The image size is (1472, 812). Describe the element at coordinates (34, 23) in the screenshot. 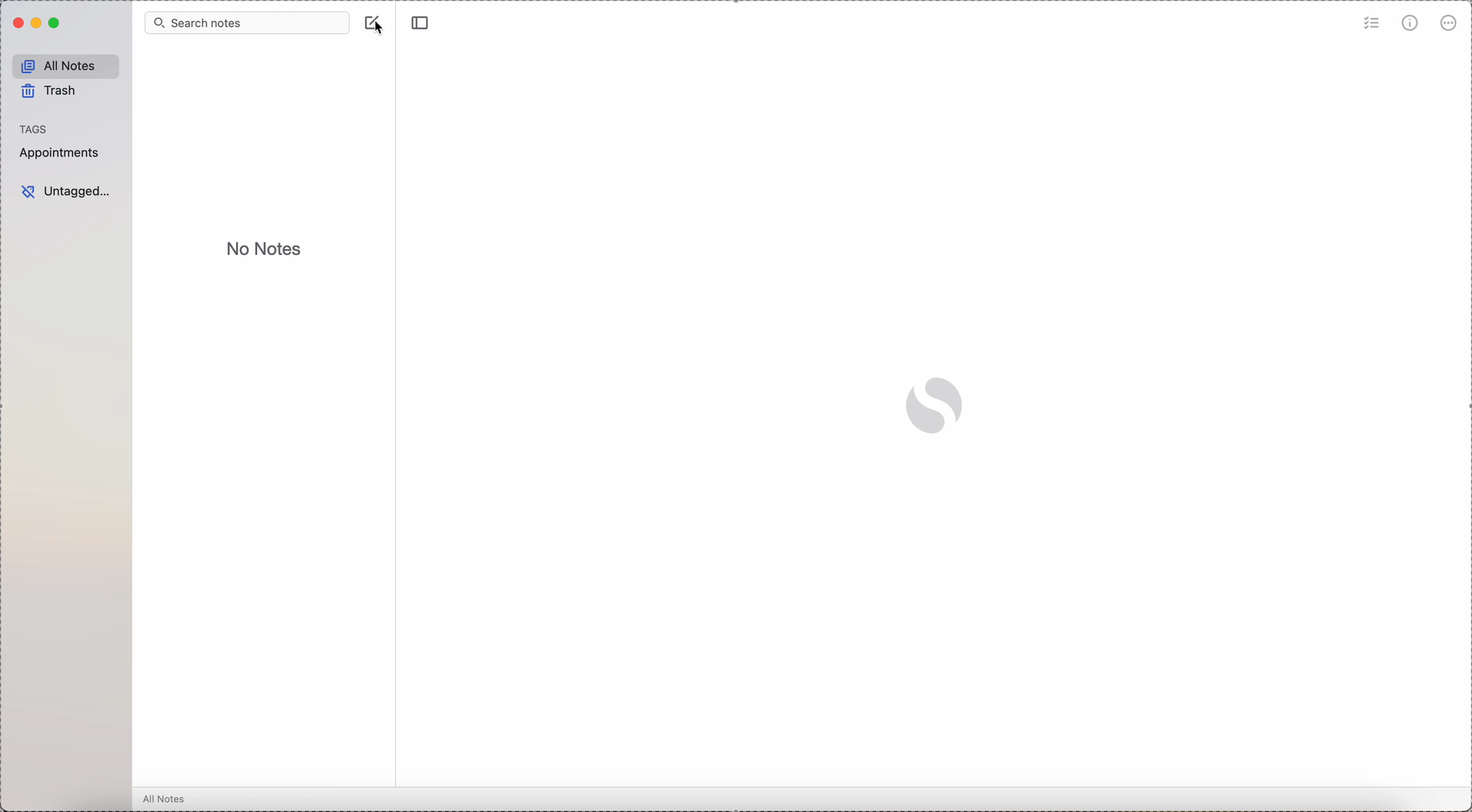

I see `minimize` at that location.